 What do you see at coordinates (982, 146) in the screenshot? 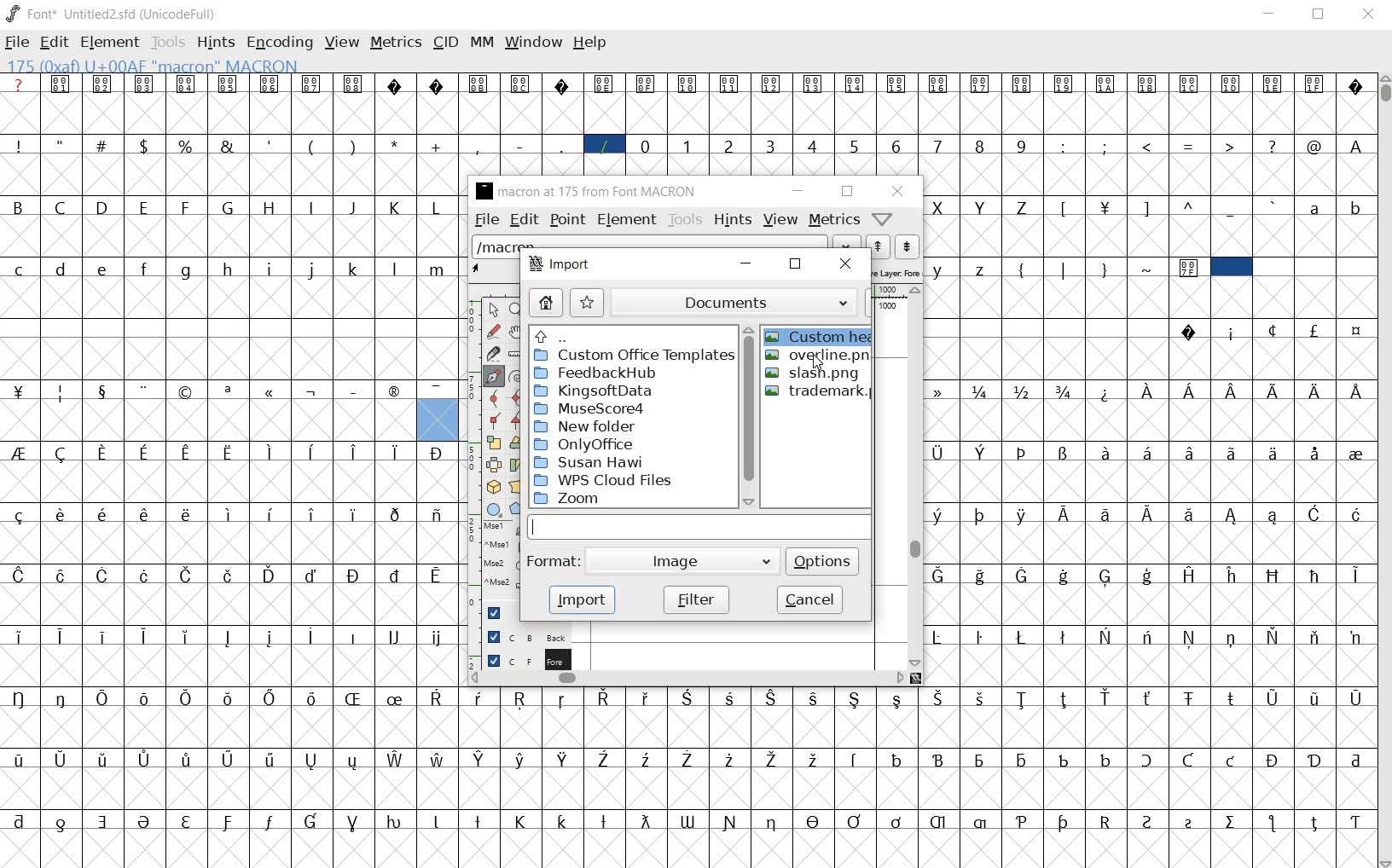
I see `8` at bounding box center [982, 146].